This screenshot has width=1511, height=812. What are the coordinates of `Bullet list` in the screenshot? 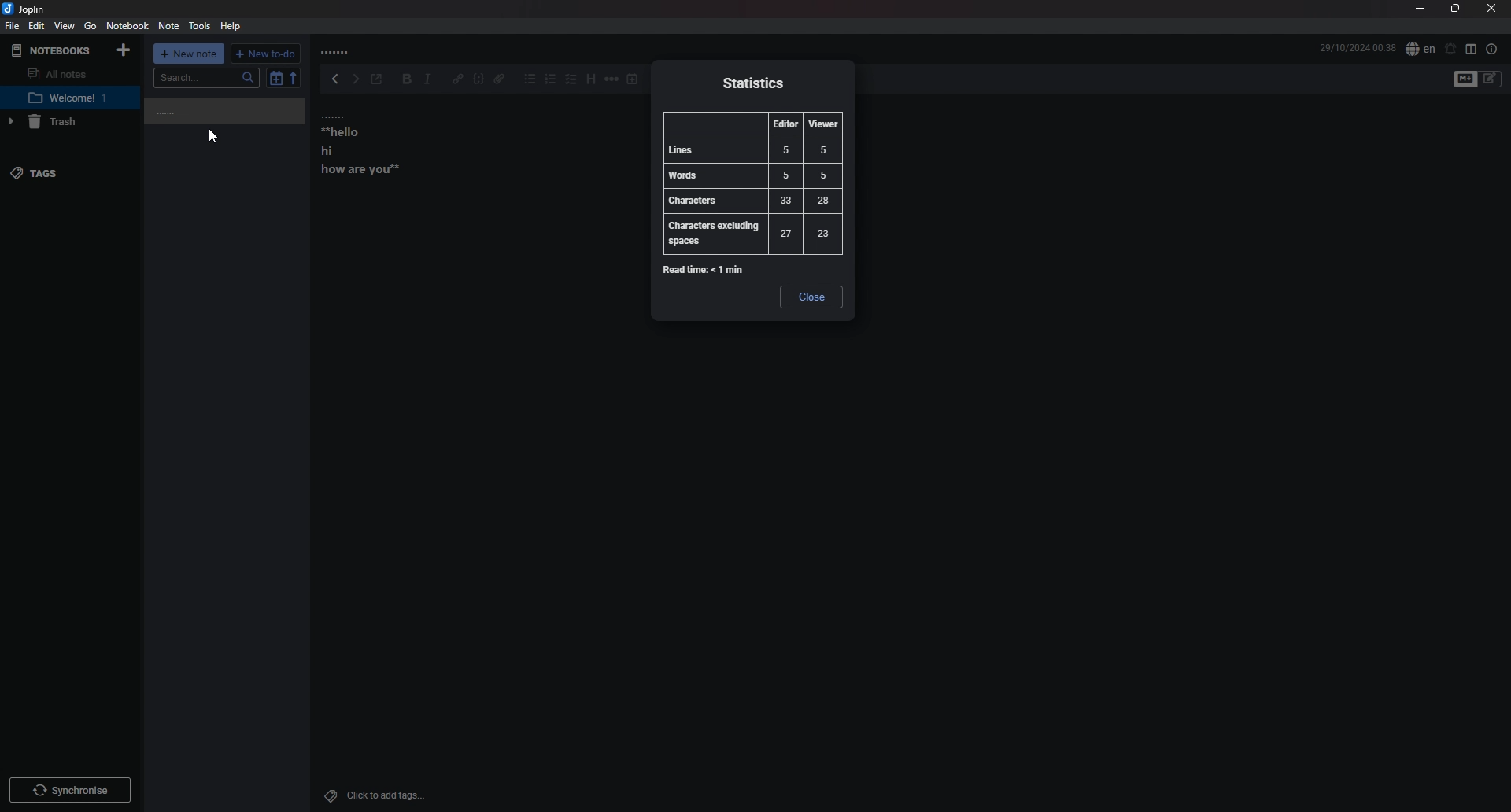 It's located at (530, 79).